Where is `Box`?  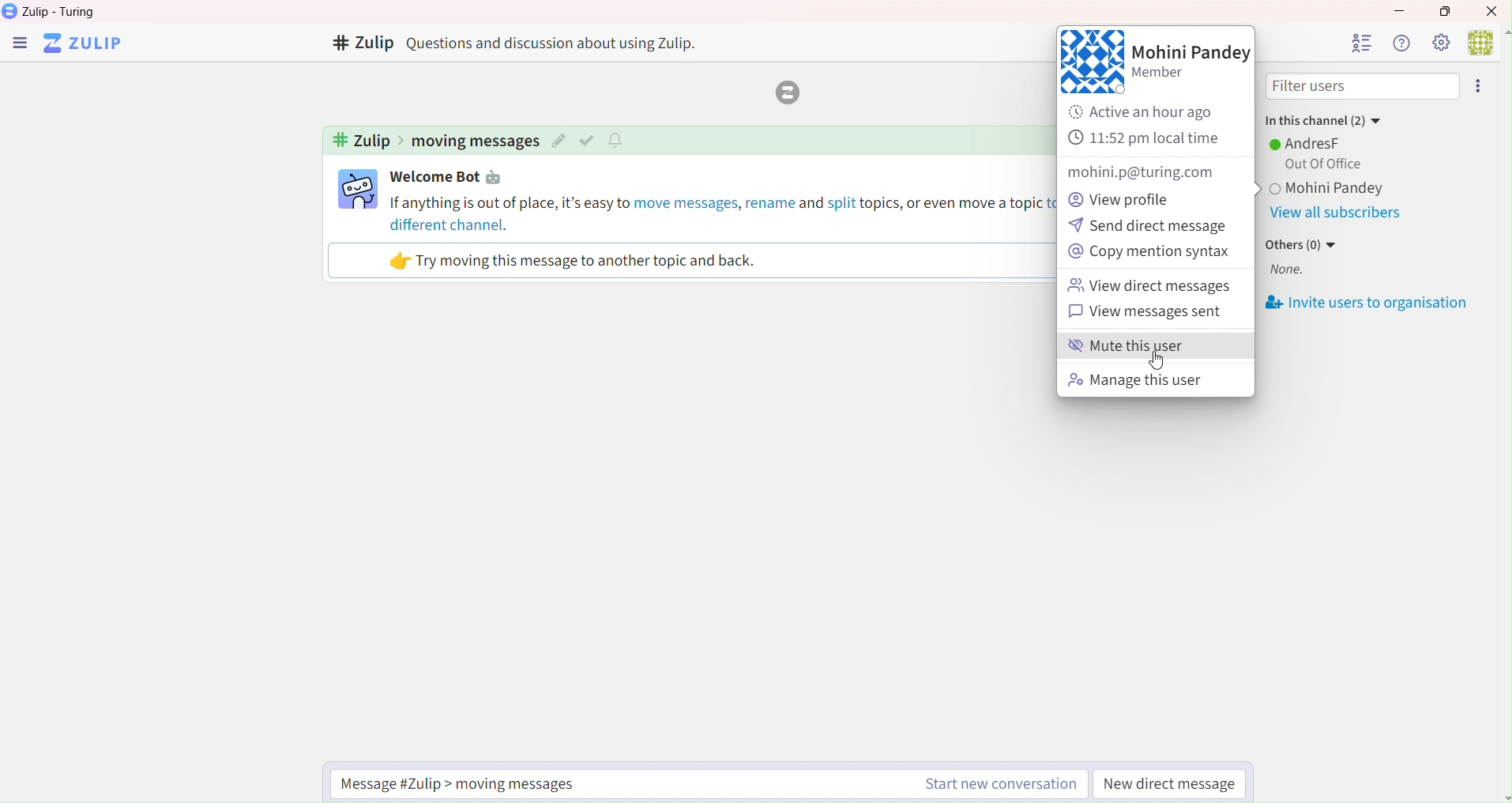
Box is located at coordinates (1450, 11).